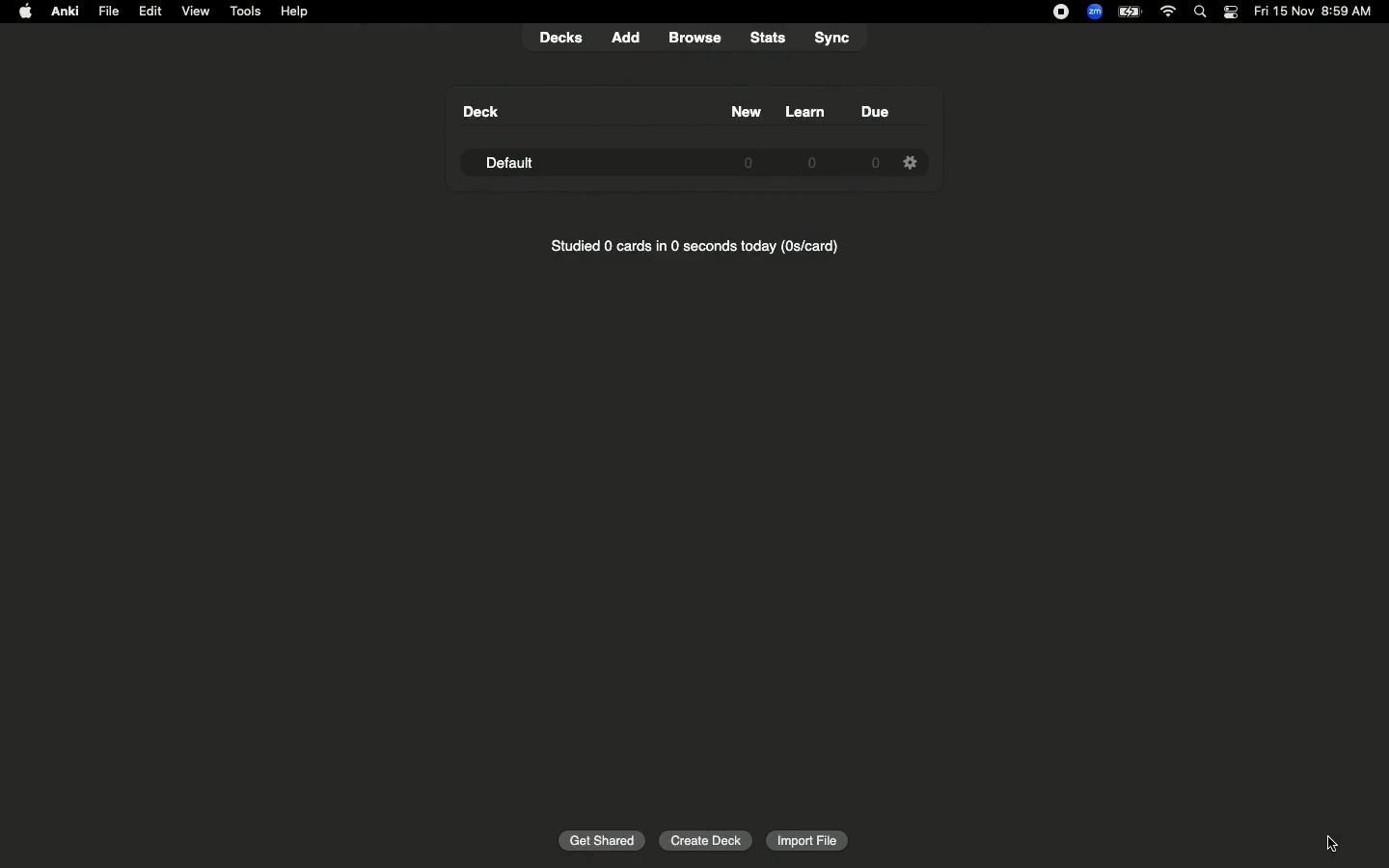 The width and height of the screenshot is (1389, 868). Describe the element at coordinates (484, 113) in the screenshot. I see `Deck` at that location.